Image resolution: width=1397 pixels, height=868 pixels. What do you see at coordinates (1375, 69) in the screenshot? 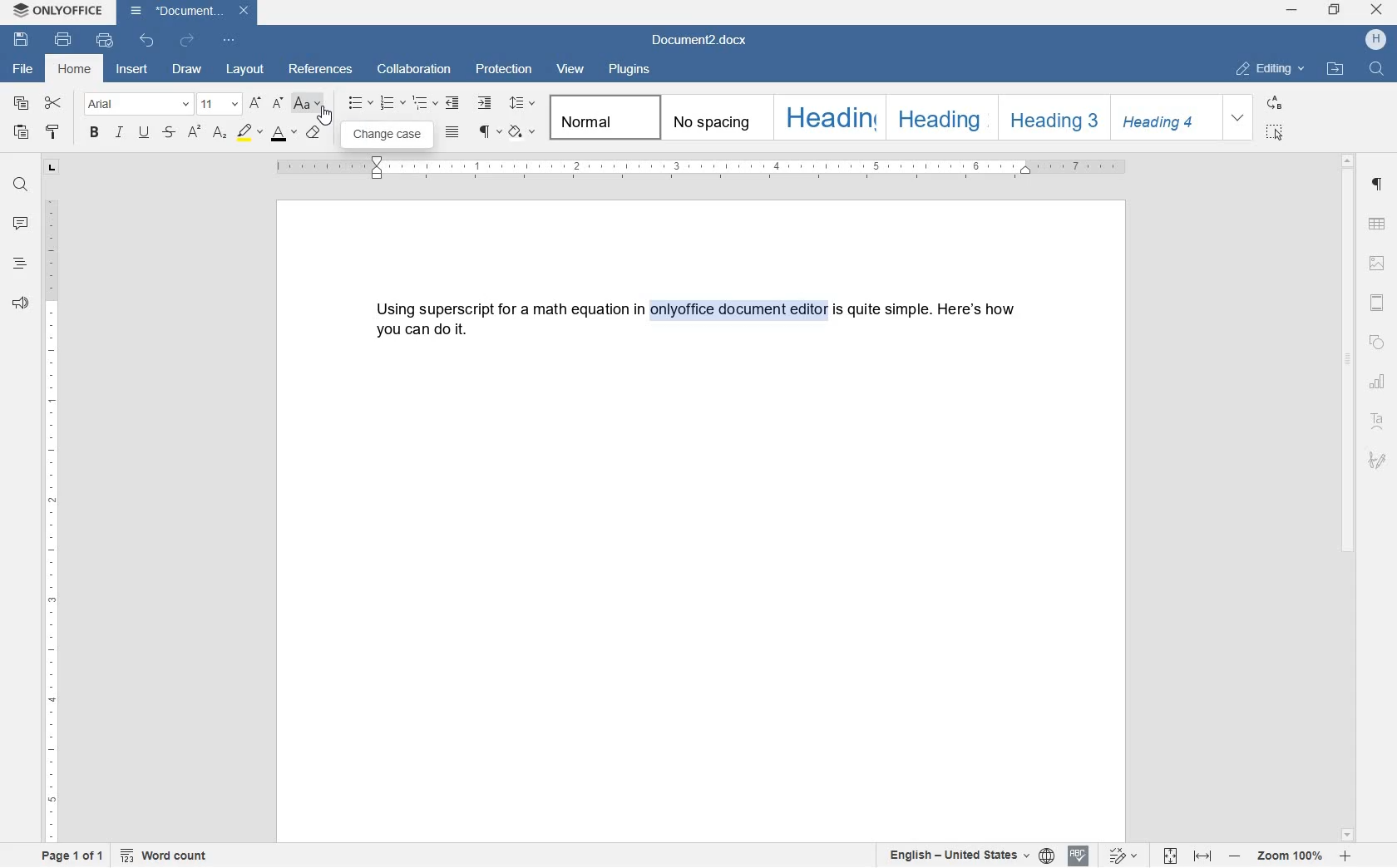
I see `FIND` at bounding box center [1375, 69].